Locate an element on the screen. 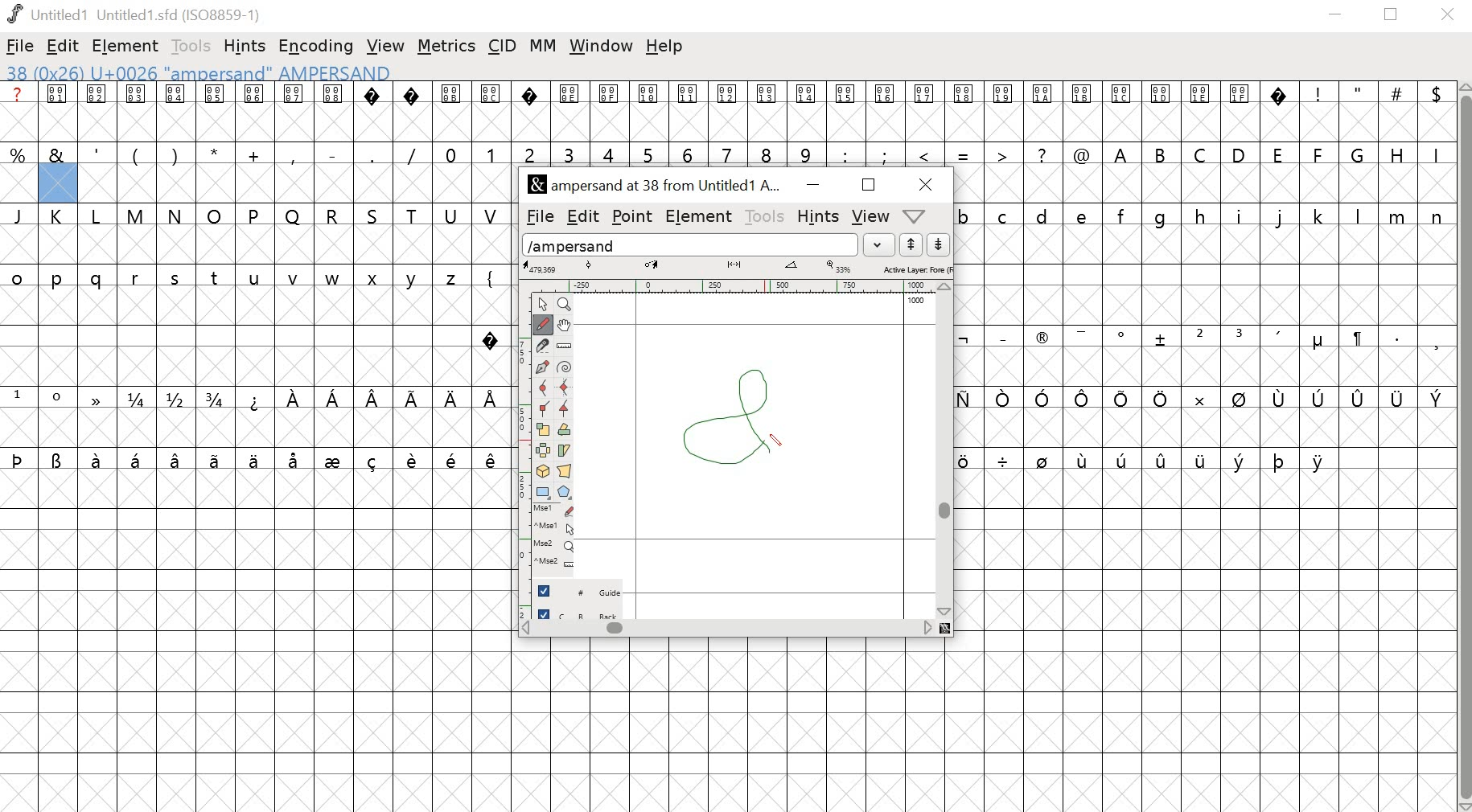 This screenshot has height=812, width=1472. symbol is located at coordinates (374, 459).